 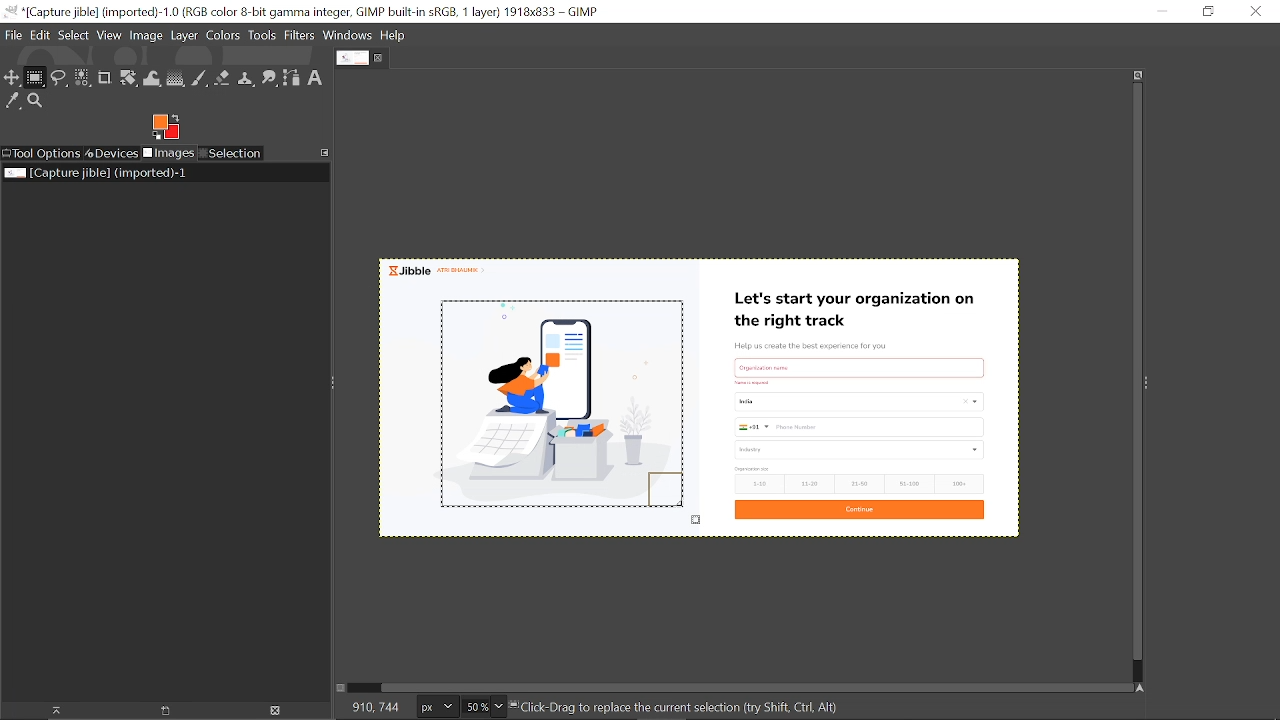 What do you see at coordinates (36, 79) in the screenshot?
I see `Rectangle select tool` at bounding box center [36, 79].